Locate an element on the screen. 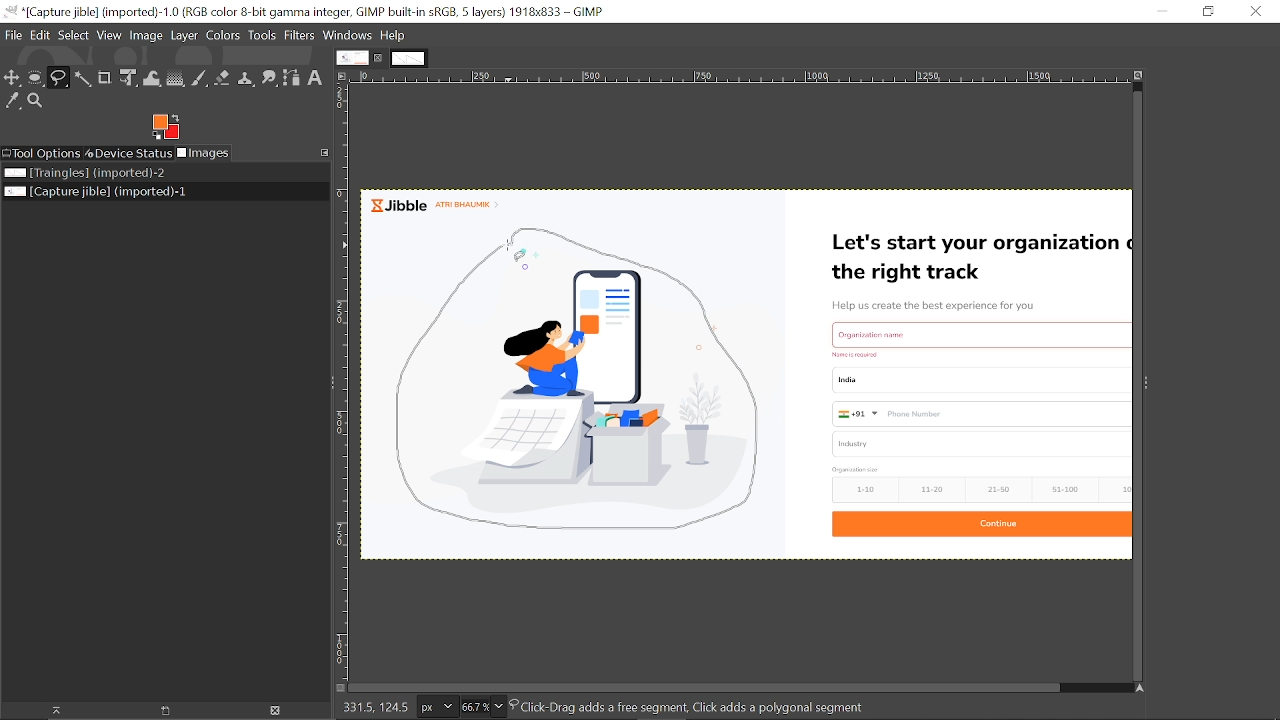  Color picker tool is located at coordinates (12, 101).